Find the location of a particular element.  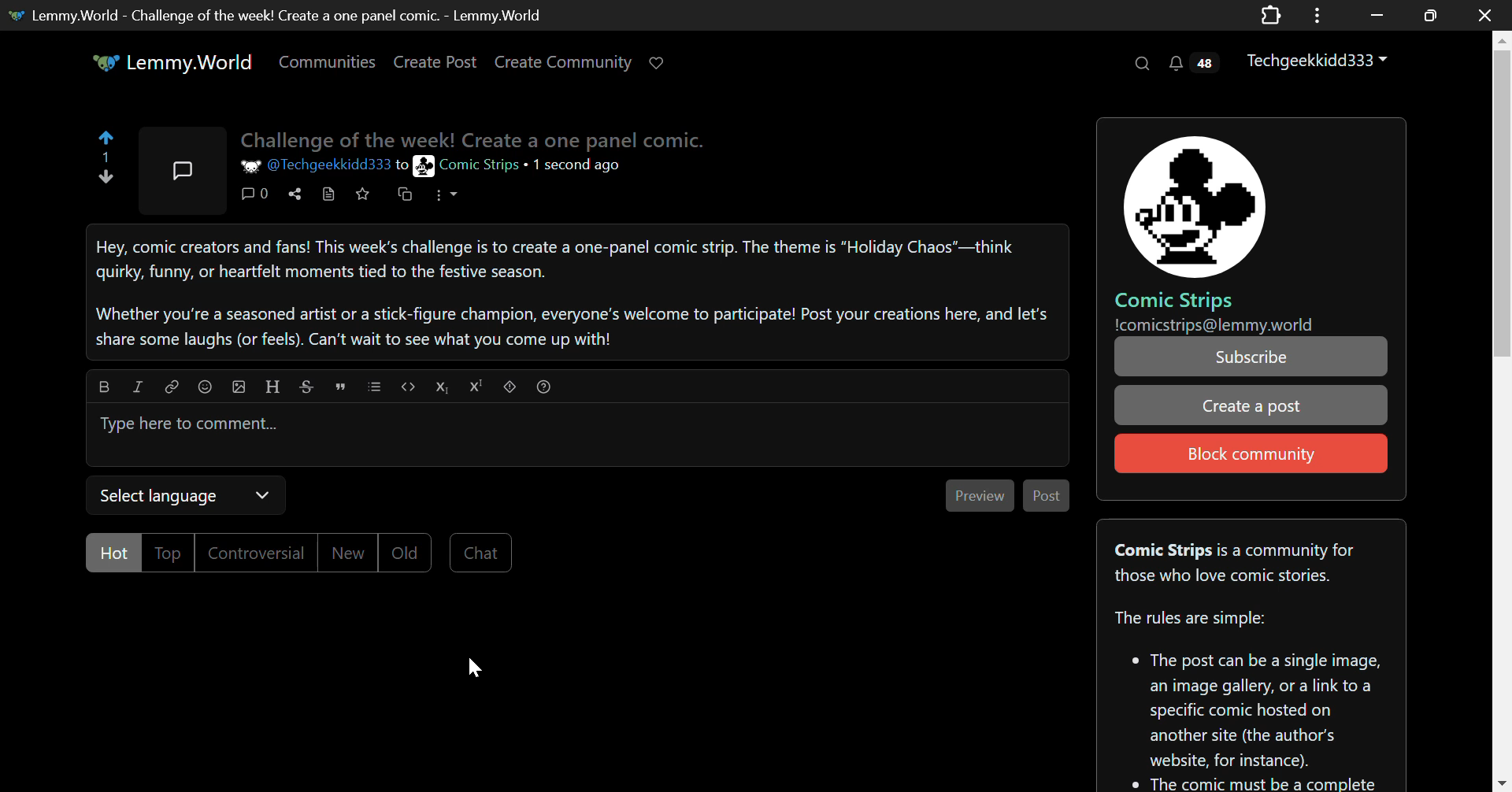

Chat is located at coordinates (484, 553).